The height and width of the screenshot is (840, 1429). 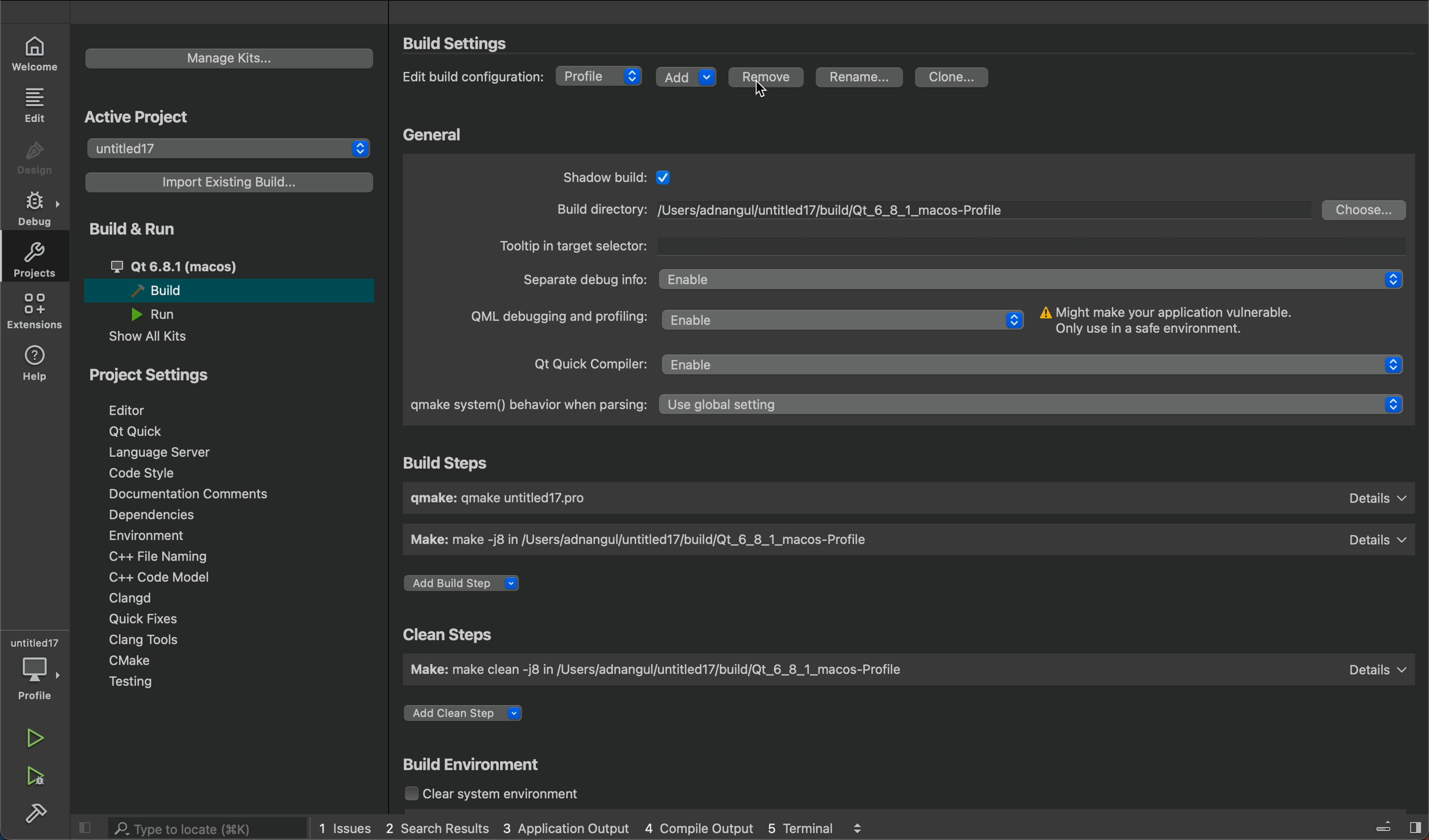 What do you see at coordinates (158, 338) in the screenshot?
I see `show all kits` at bounding box center [158, 338].